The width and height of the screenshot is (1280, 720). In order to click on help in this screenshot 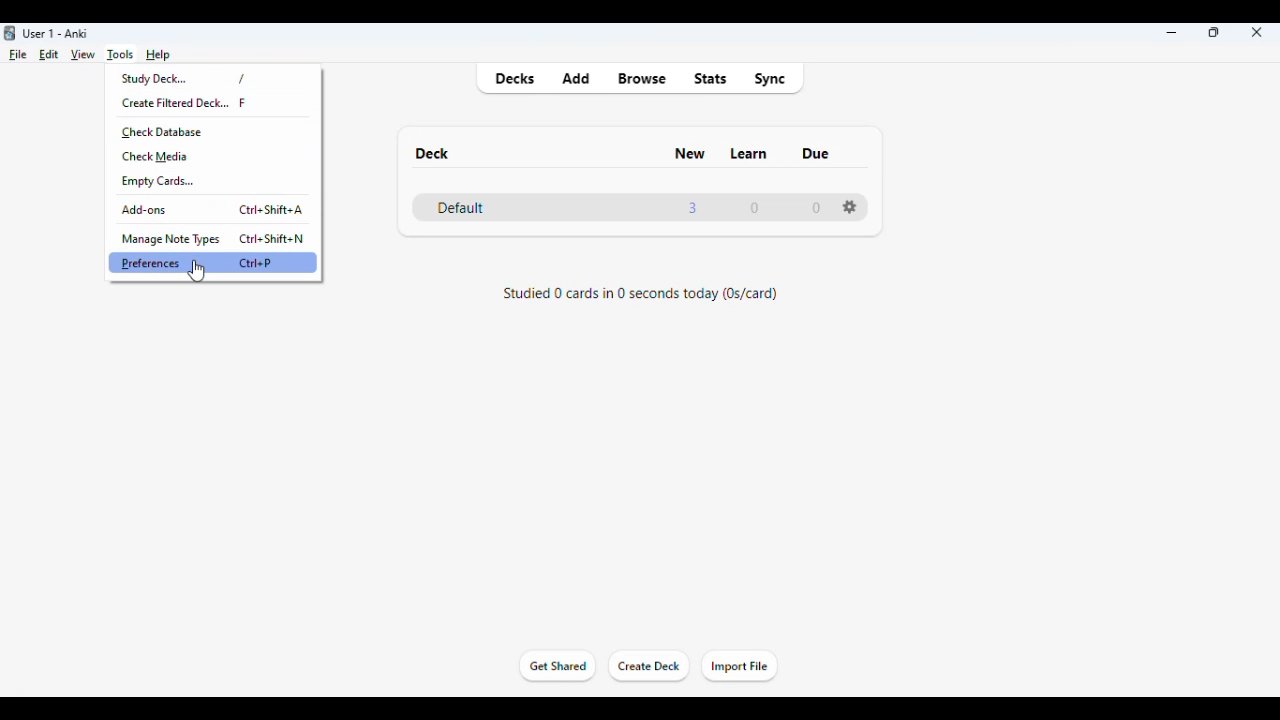, I will do `click(158, 53)`.